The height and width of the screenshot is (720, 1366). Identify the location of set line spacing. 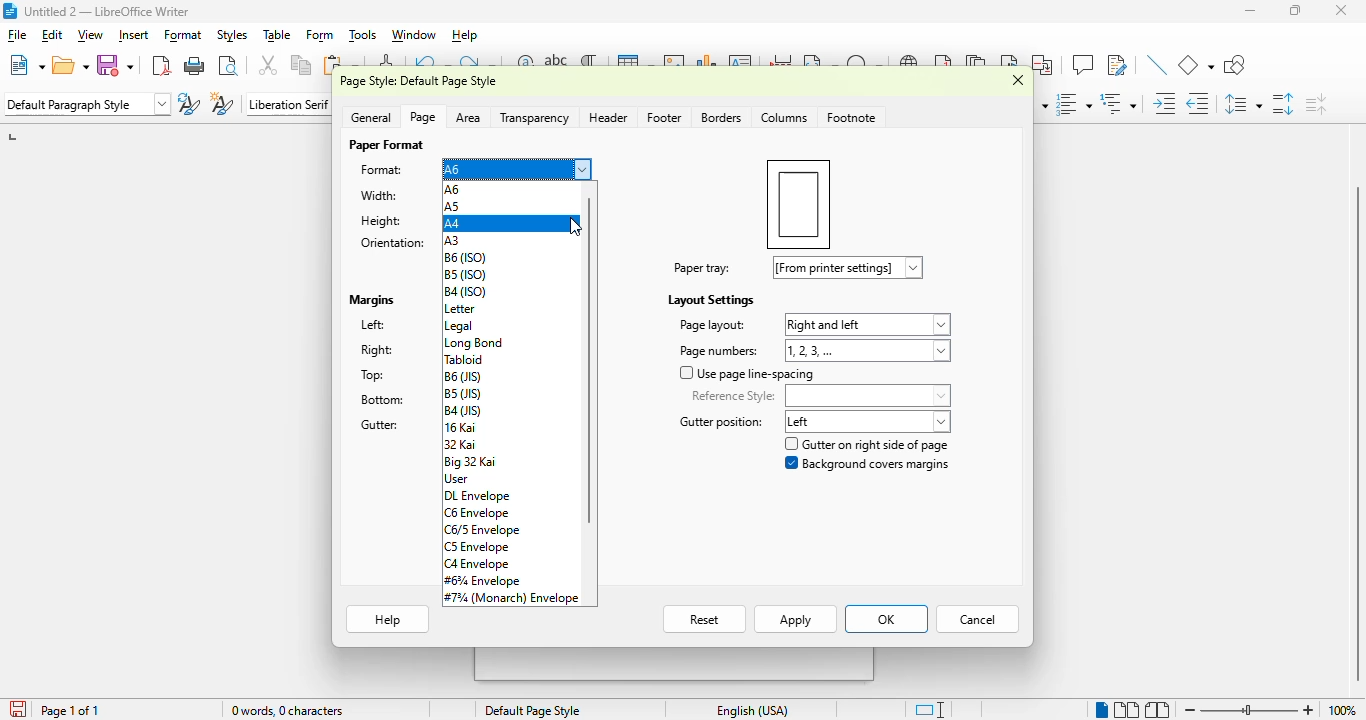
(1243, 103).